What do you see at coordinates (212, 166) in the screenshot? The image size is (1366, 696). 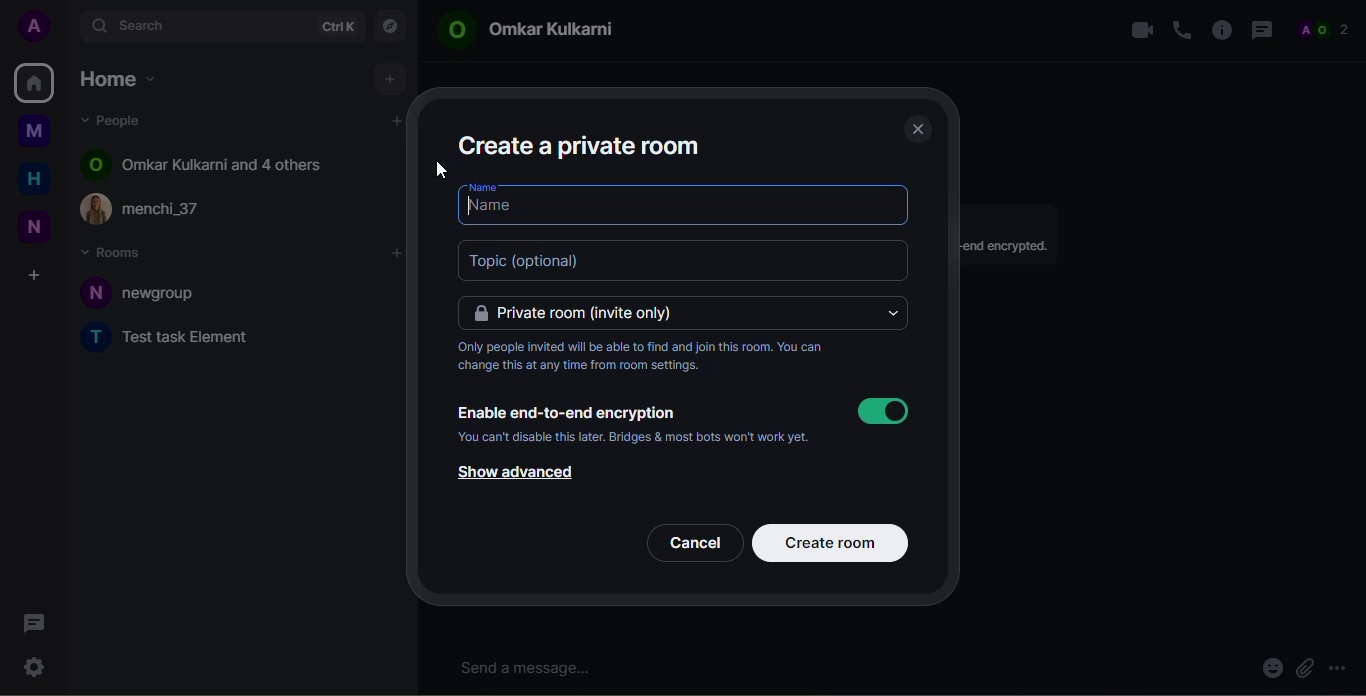 I see `© Omkar Kulkarni and 4 others` at bounding box center [212, 166].